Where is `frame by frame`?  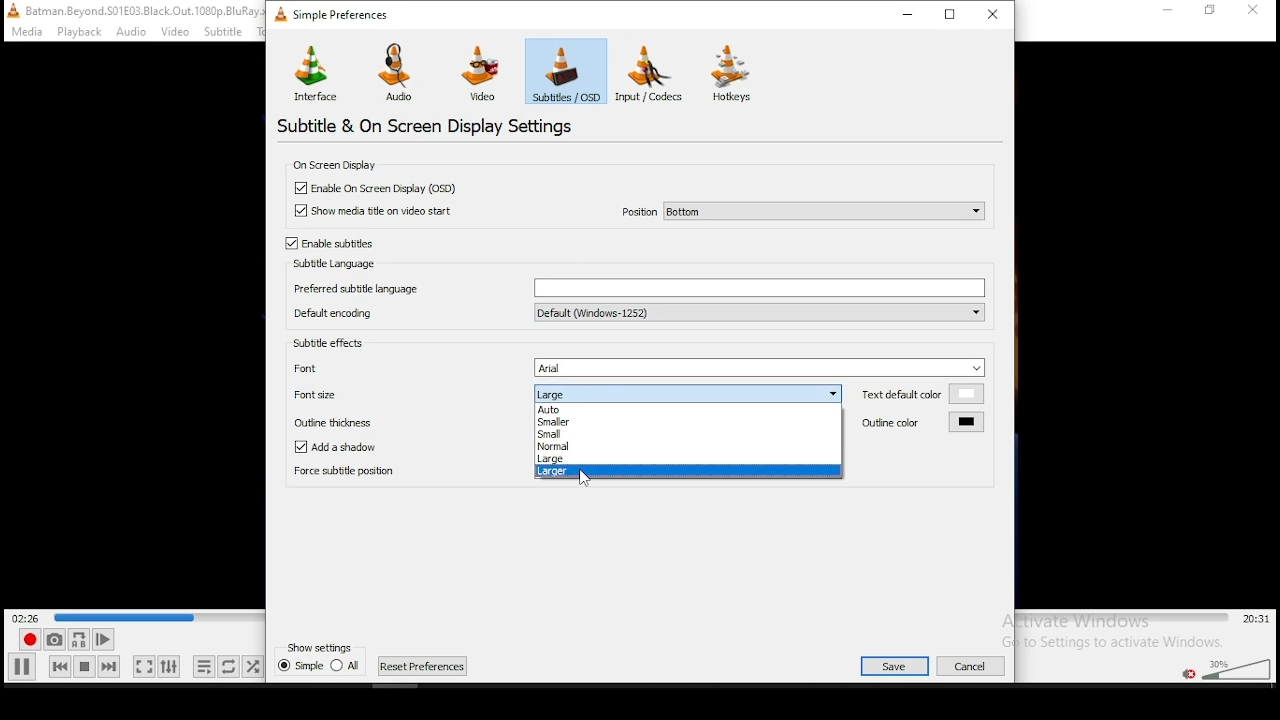
frame by frame is located at coordinates (103, 639).